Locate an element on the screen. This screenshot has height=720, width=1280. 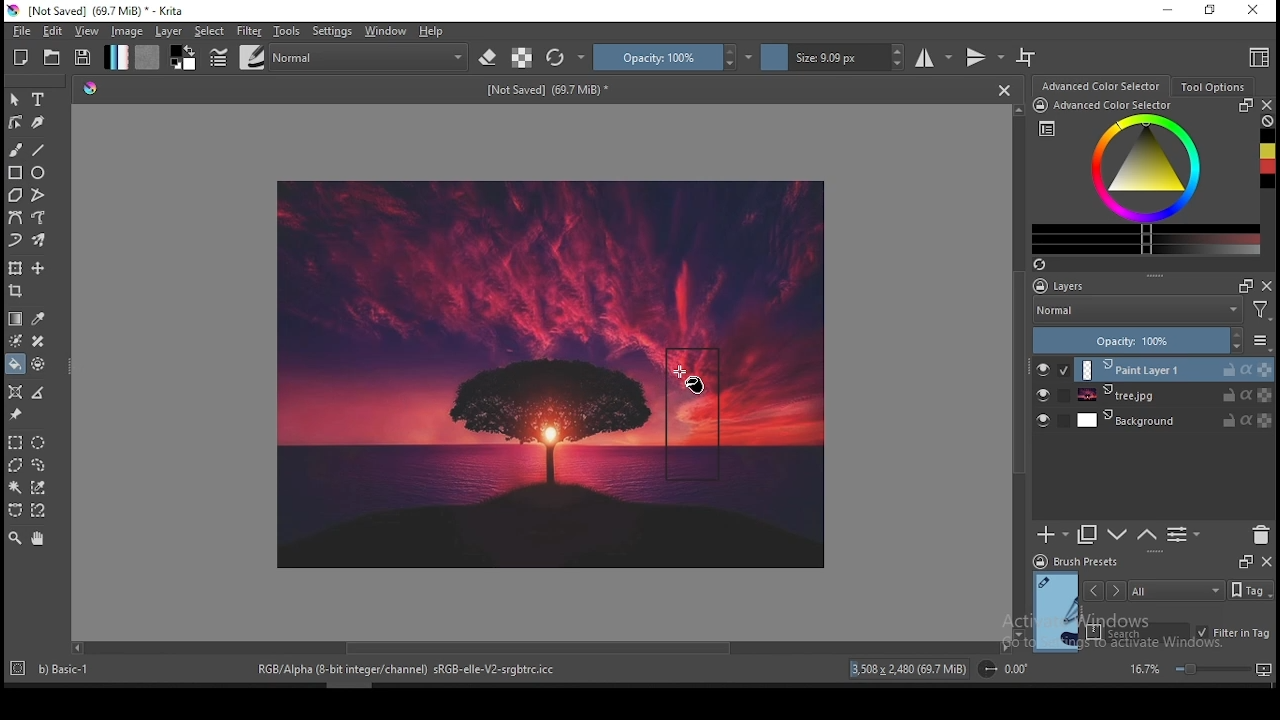
search is located at coordinates (1138, 631).